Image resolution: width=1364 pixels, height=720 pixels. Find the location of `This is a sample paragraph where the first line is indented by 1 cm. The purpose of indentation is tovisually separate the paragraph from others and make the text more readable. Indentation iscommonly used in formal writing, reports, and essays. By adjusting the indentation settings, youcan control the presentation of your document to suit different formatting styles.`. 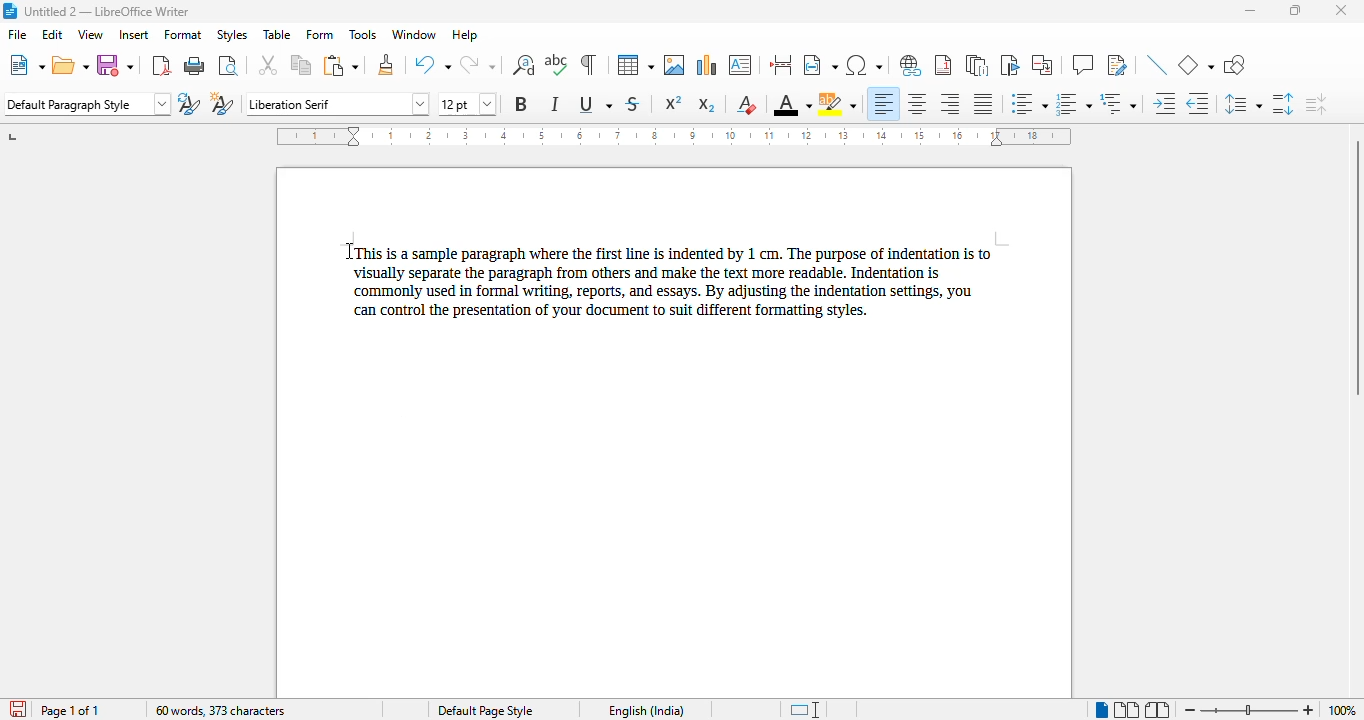

This is a sample paragraph where the first line is indented by 1 cm. The purpose of indentation is tovisually separate the paragraph from others and make the text more readable. Indentation iscommonly used in formal writing, reports, and essays. By adjusting the indentation settings, youcan control the presentation of your document to suit different formatting styles. is located at coordinates (673, 283).